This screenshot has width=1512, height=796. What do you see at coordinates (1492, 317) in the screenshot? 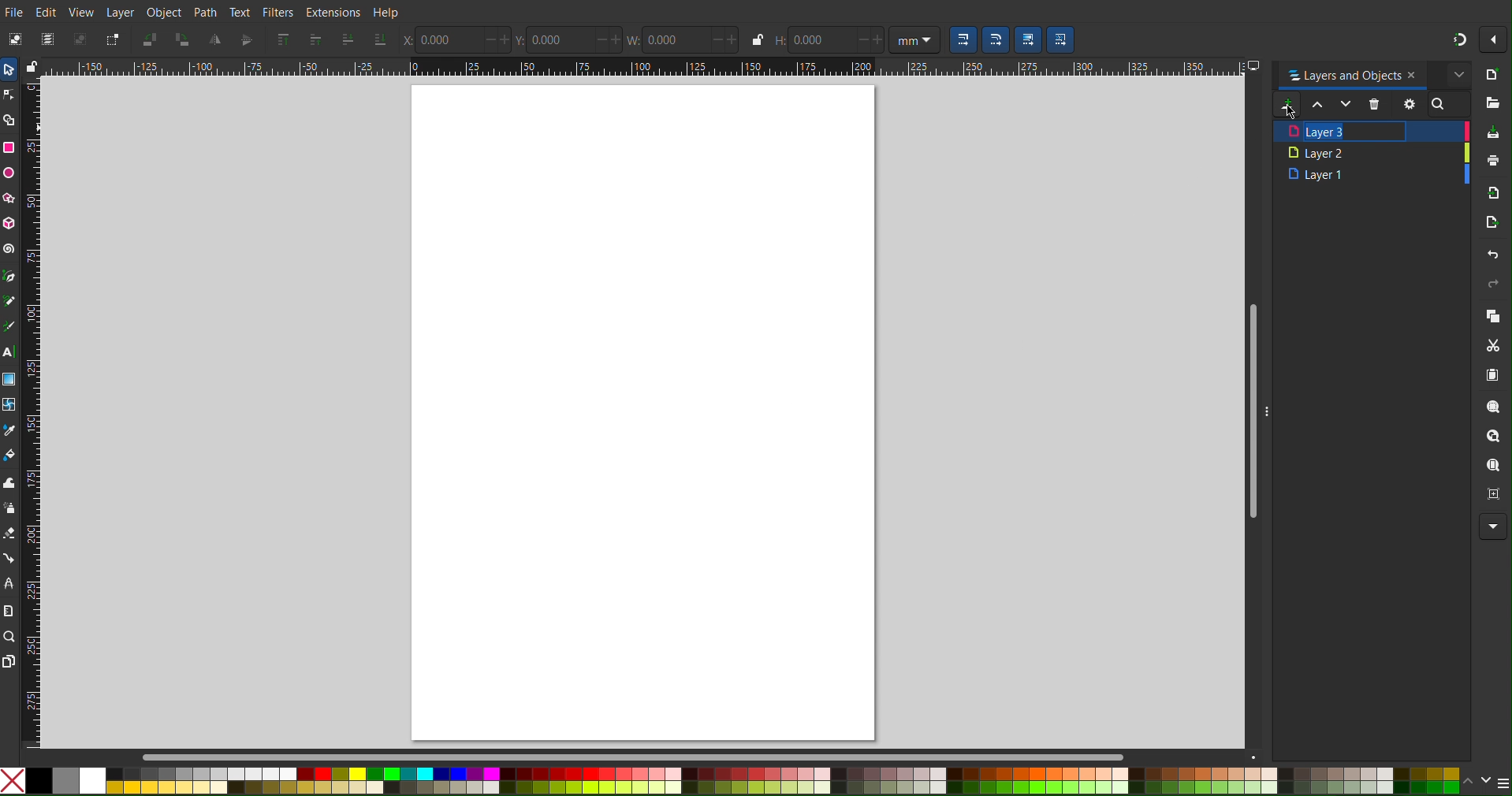
I see `Copy` at bounding box center [1492, 317].